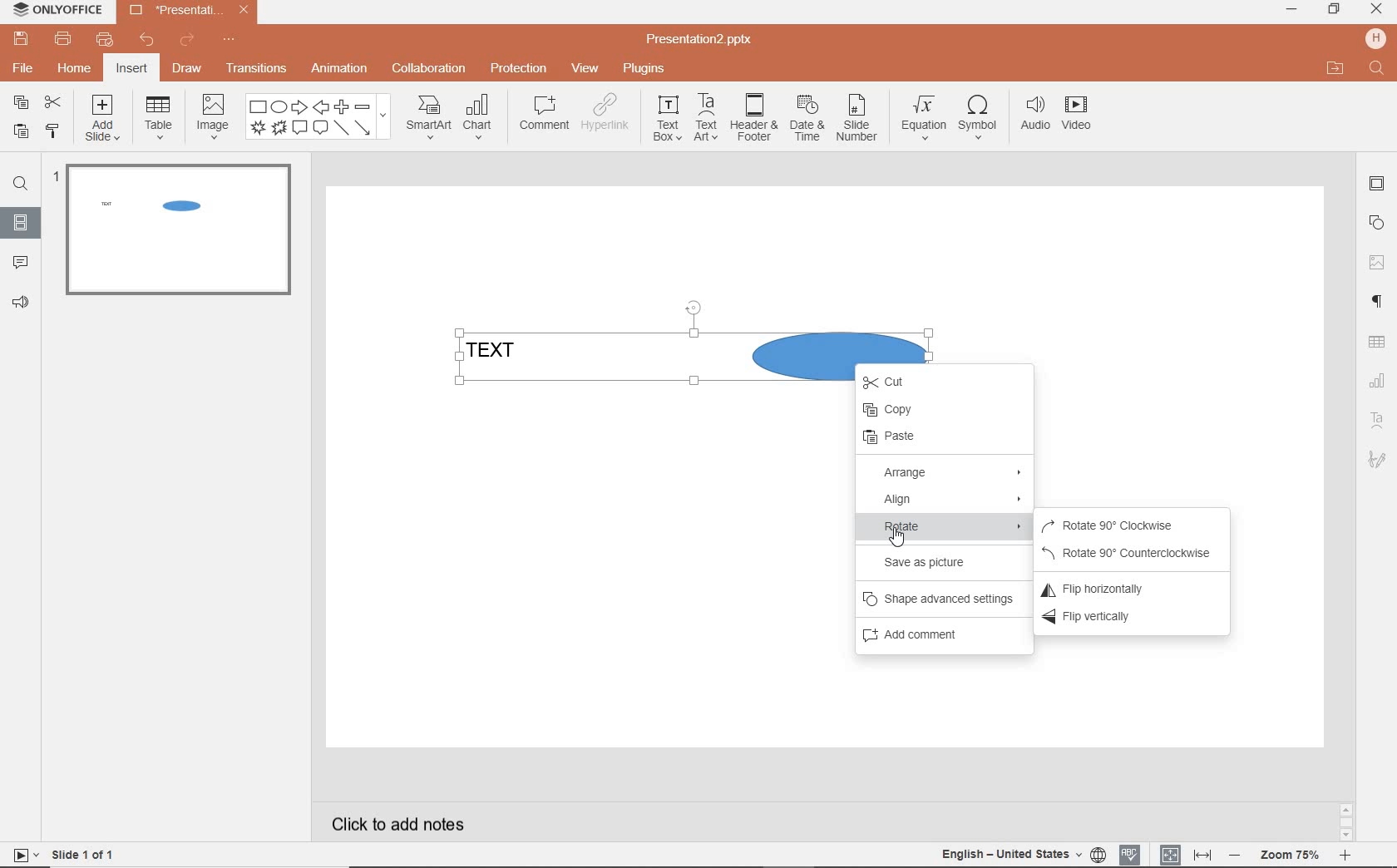 The height and width of the screenshot is (868, 1397). I want to click on cursor, so click(895, 536).